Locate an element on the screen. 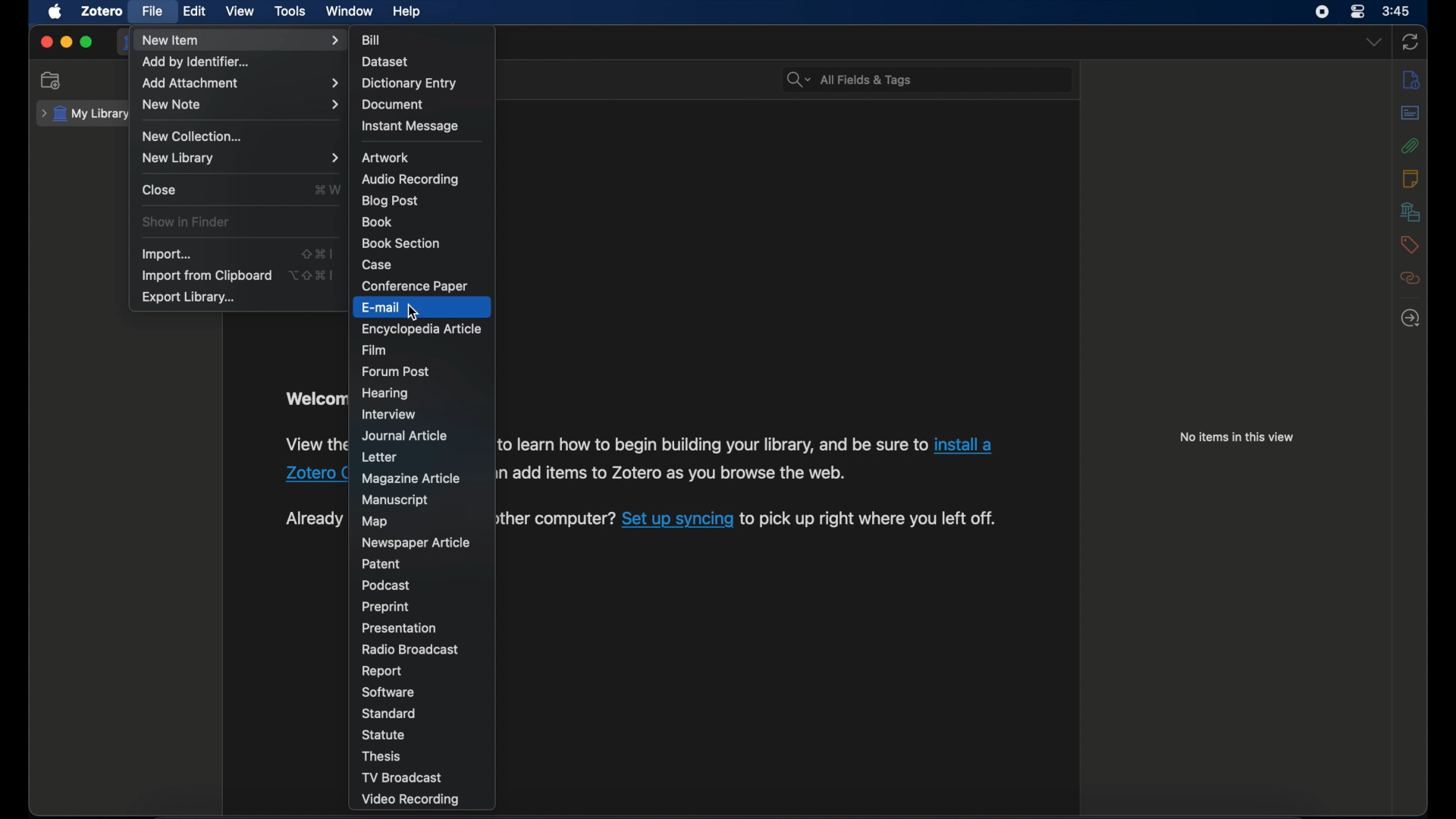 This screenshot has width=1456, height=819. video recording is located at coordinates (408, 799).